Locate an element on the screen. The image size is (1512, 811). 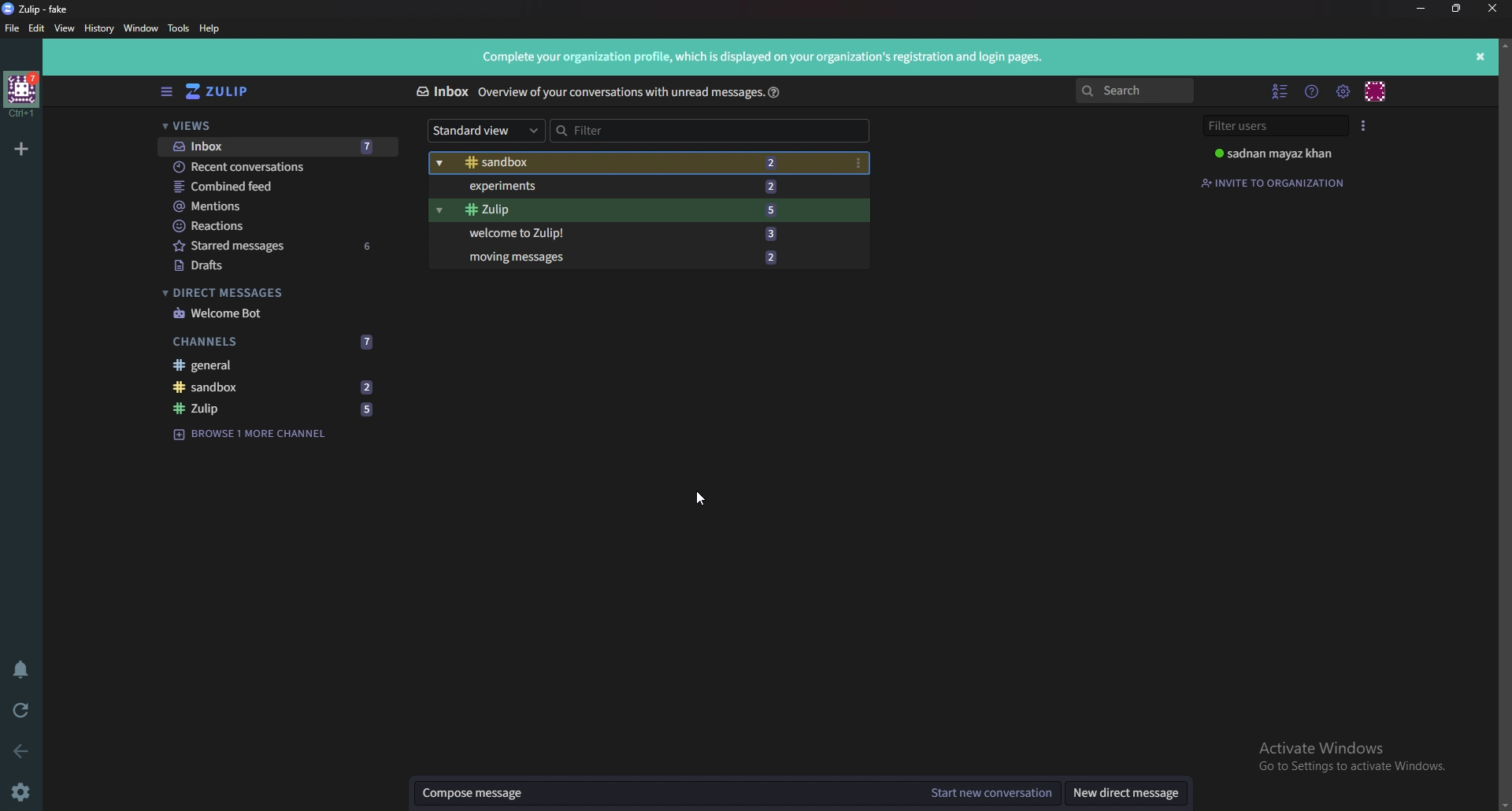
back is located at coordinates (21, 749).